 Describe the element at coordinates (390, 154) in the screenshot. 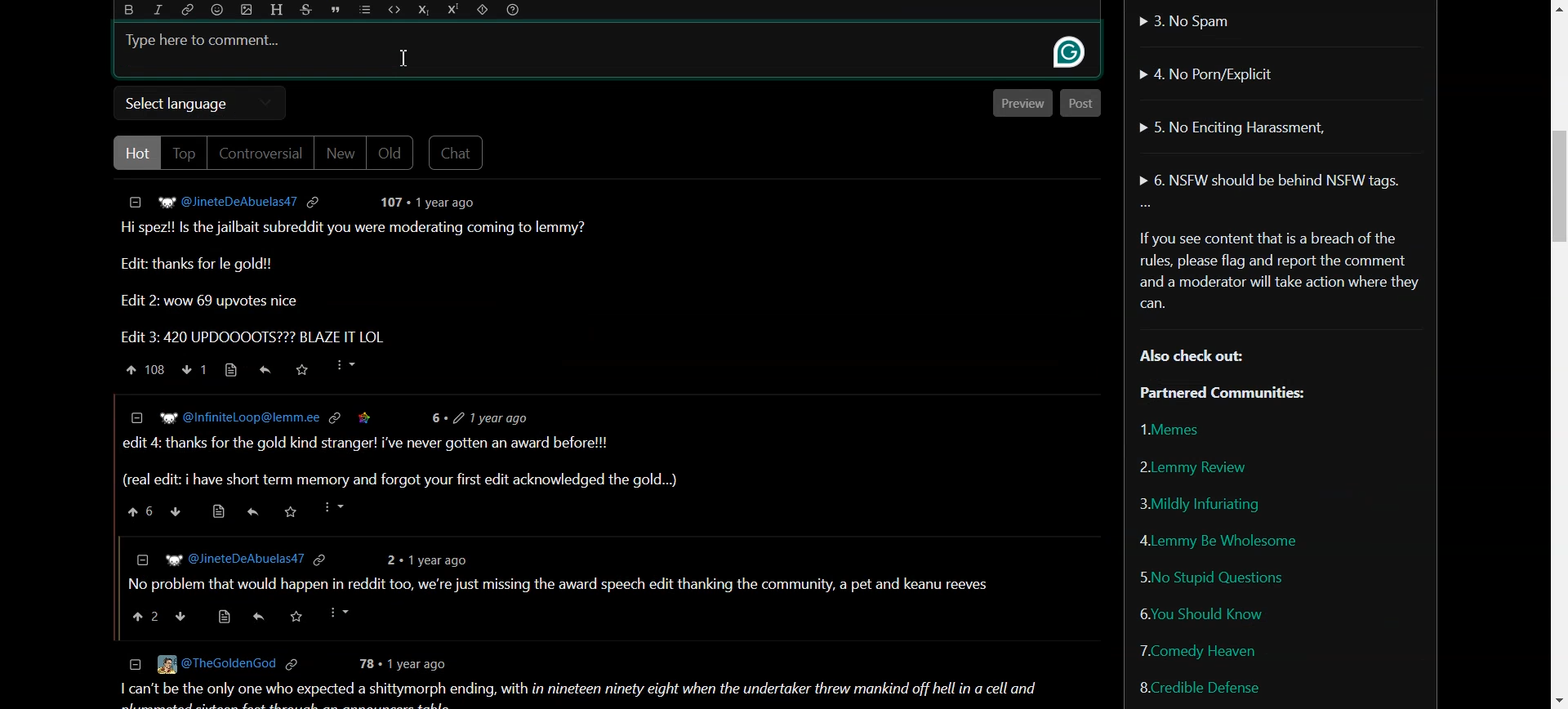

I see `Old` at that location.